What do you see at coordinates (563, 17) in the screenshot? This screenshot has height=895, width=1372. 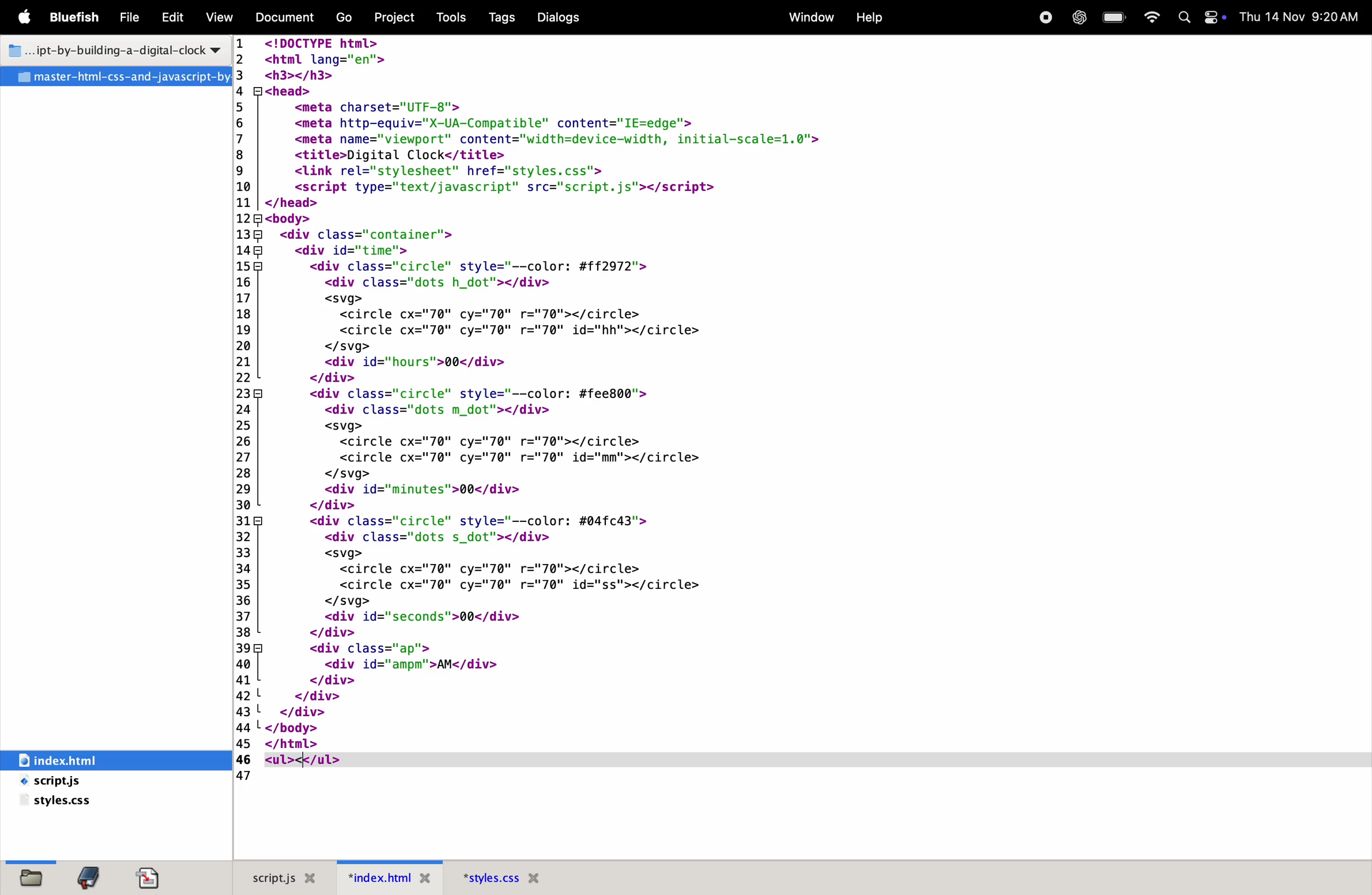 I see `Dialogs` at bounding box center [563, 17].